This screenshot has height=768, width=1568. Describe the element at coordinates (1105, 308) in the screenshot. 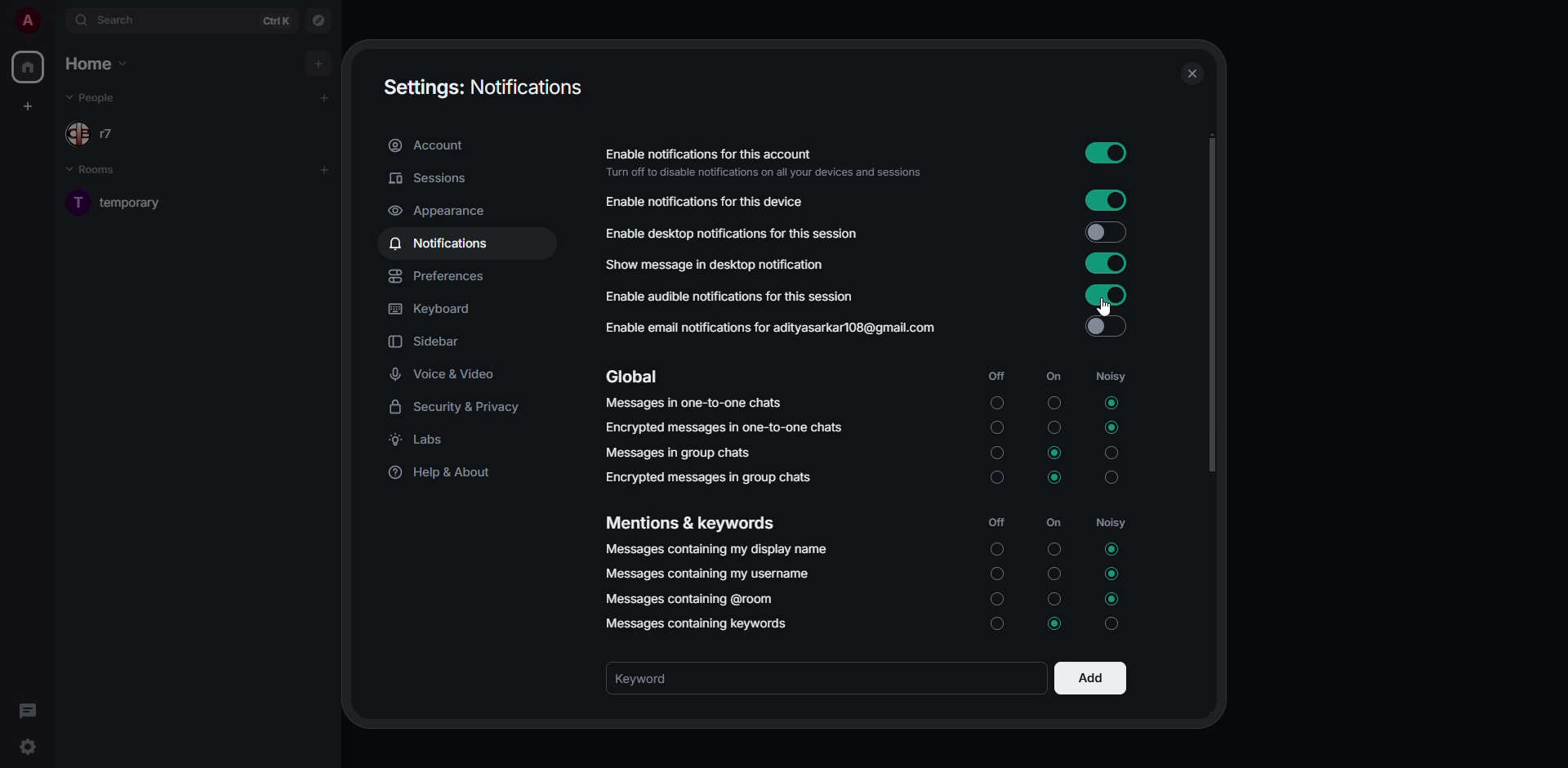

I see `cursor` at that location.